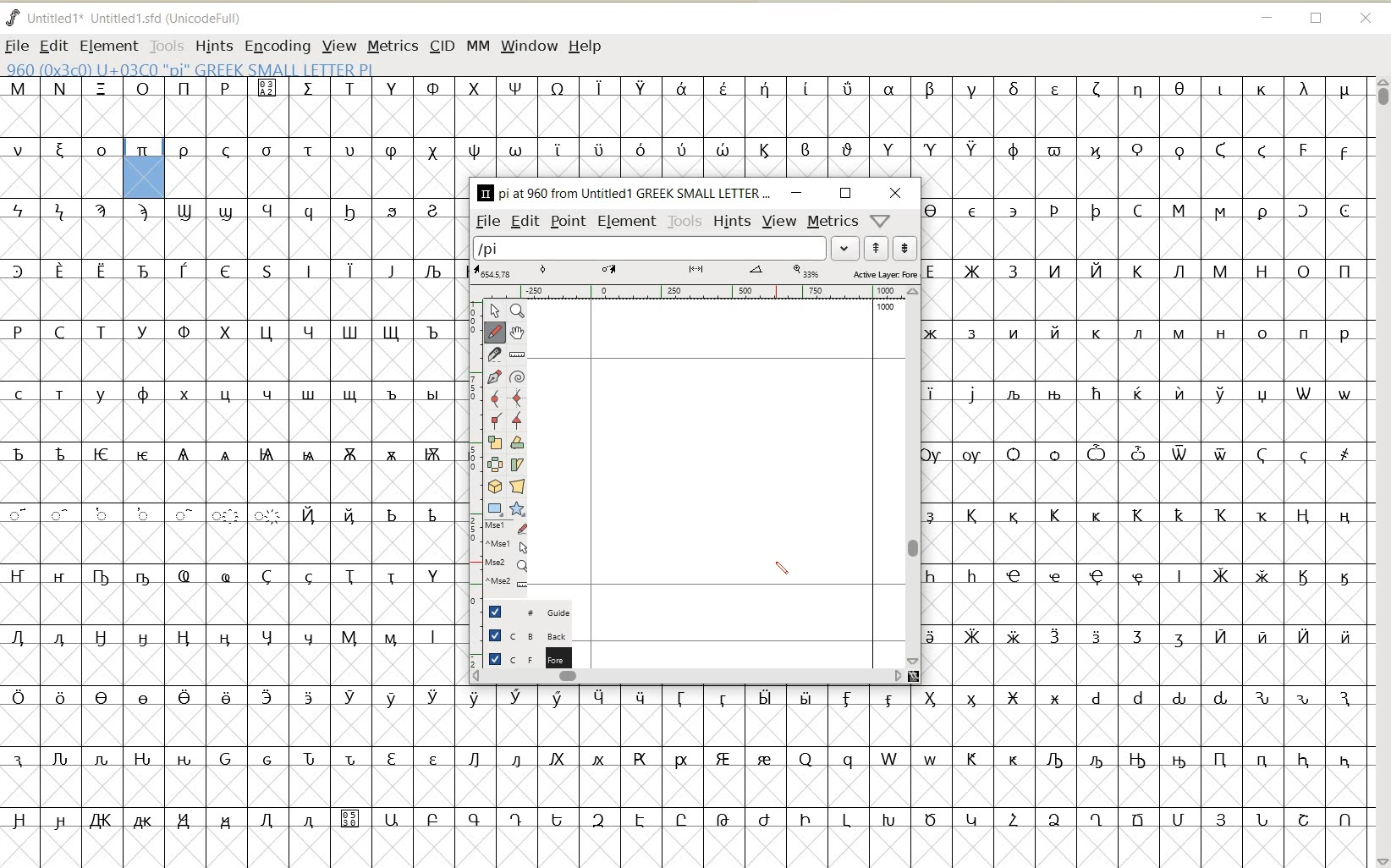 The image size is (1391, 868). Describe the element at coordinates (16, 46) in the screenshot. I see `FILE` at that location.